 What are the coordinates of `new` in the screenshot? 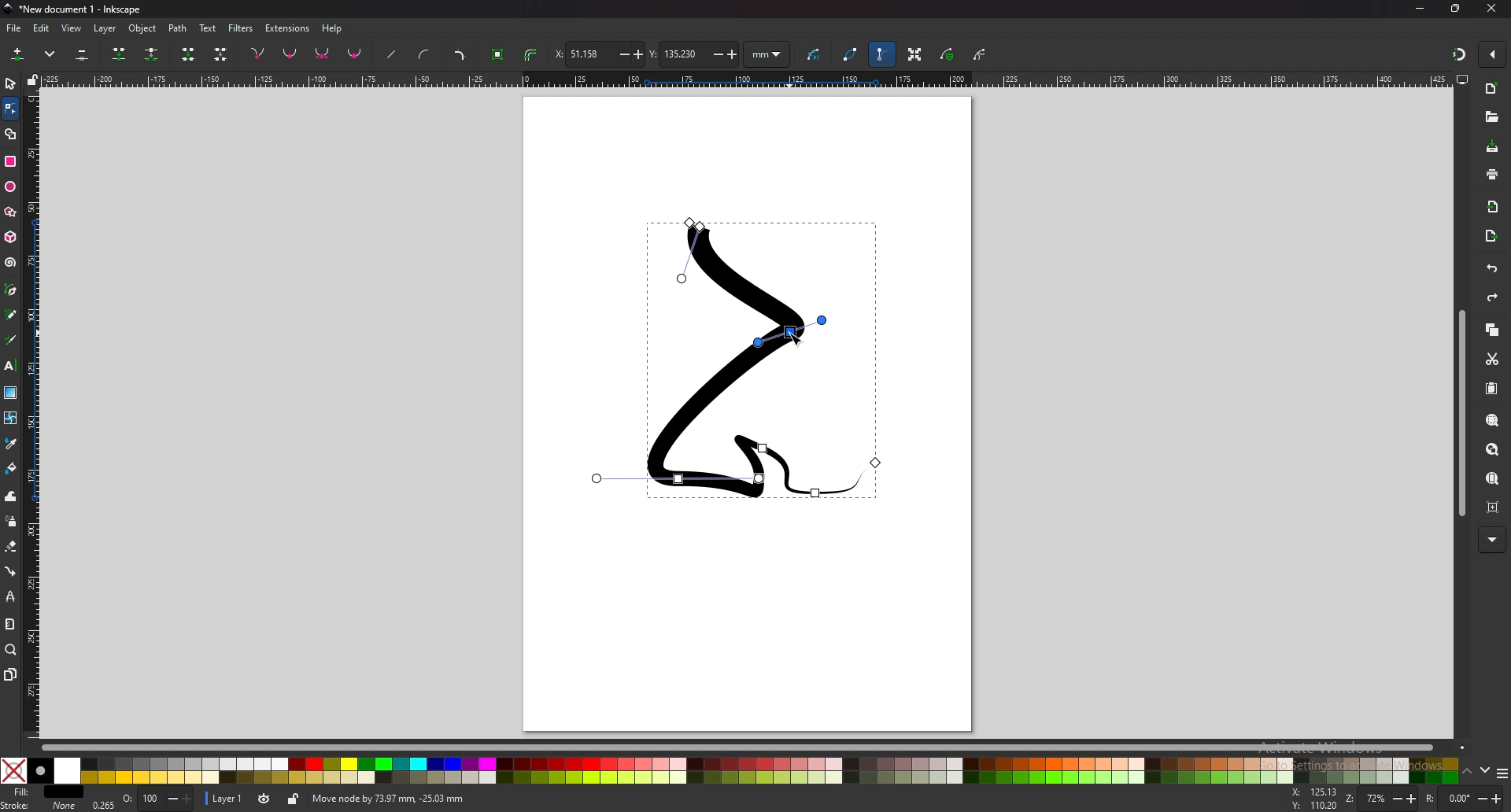 It's located at (1491, 89).